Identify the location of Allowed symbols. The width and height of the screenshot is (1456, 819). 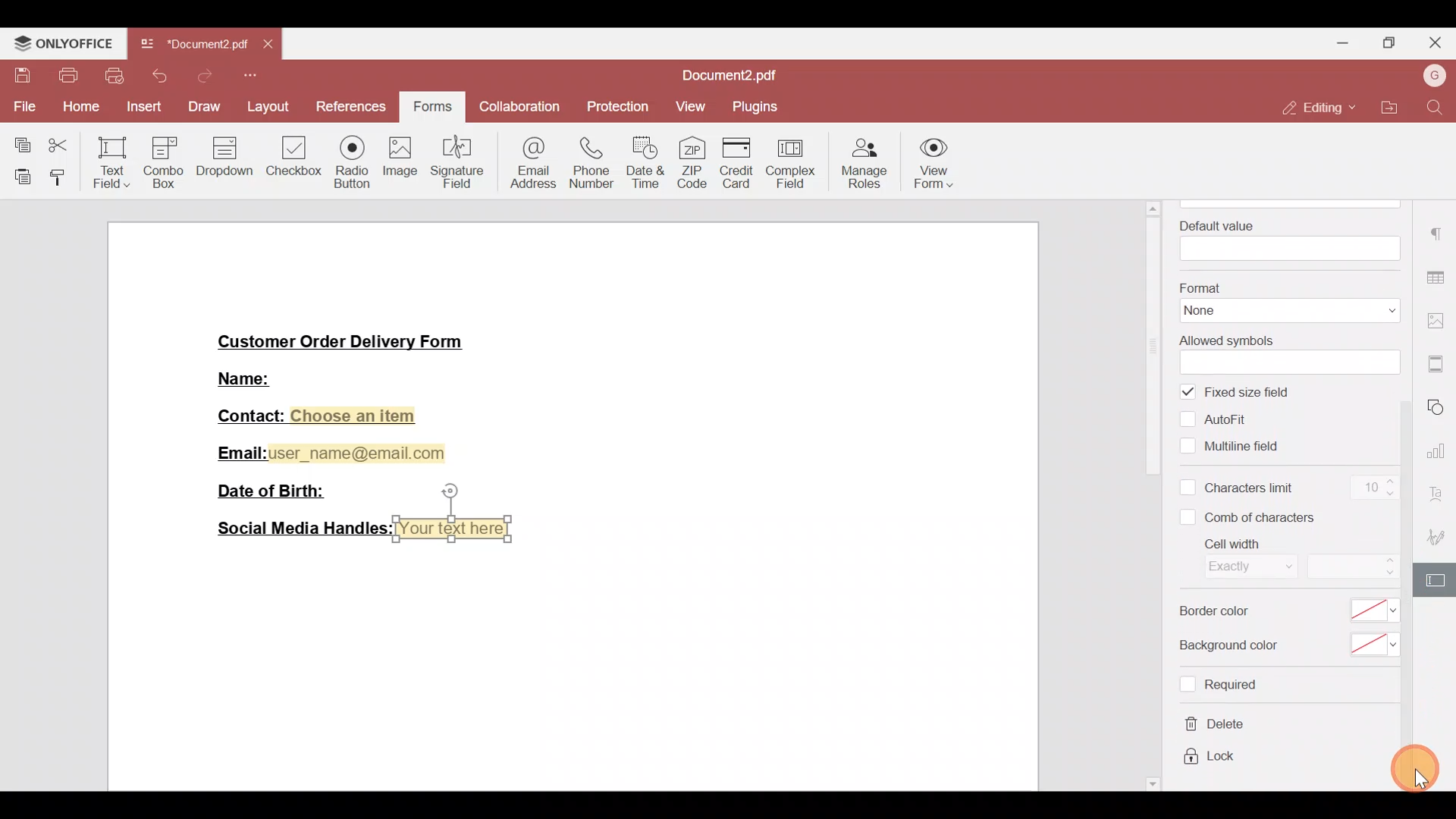
(1285, 352).